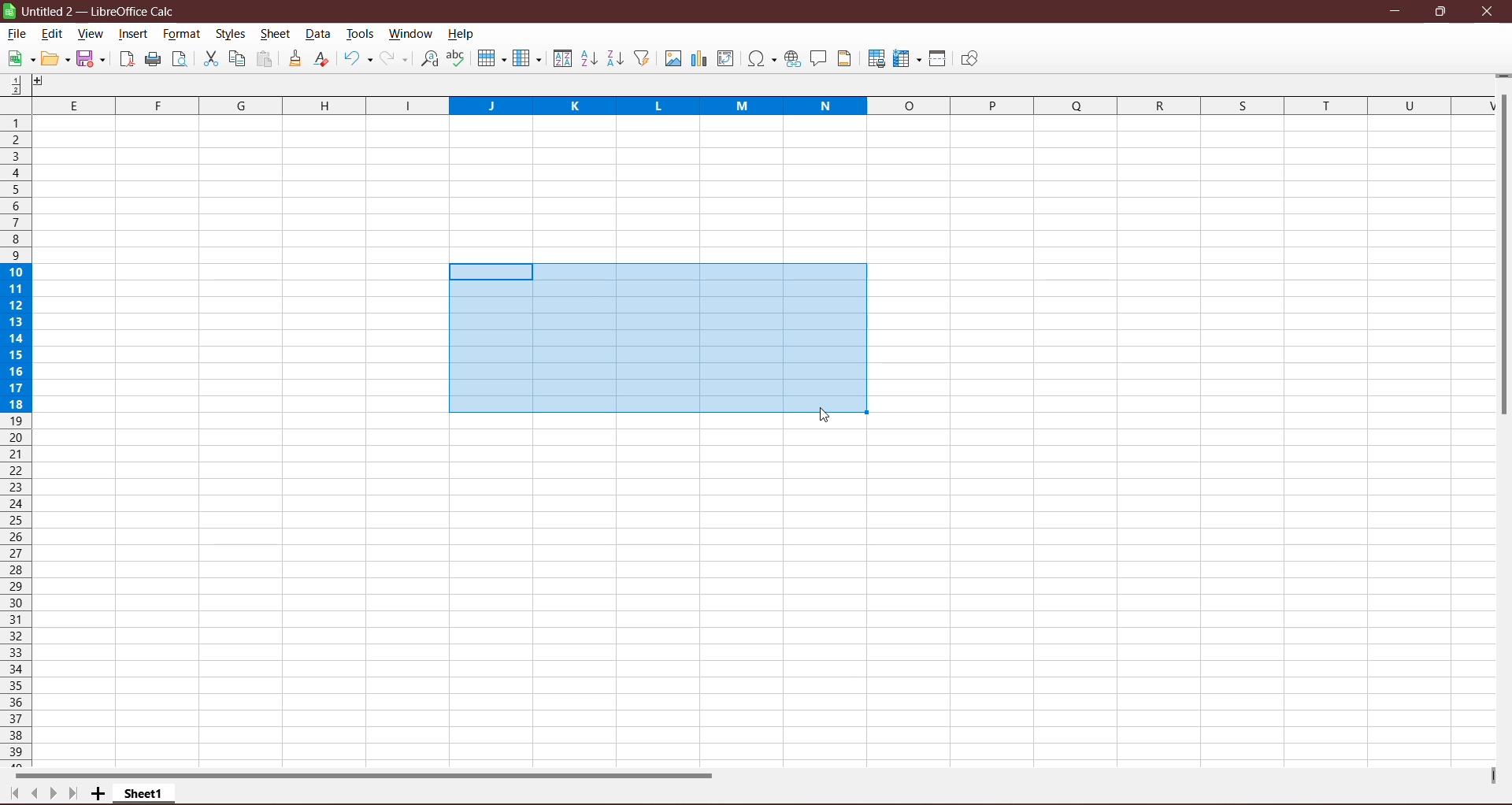  I want to click on Copy, so click(237, 58).